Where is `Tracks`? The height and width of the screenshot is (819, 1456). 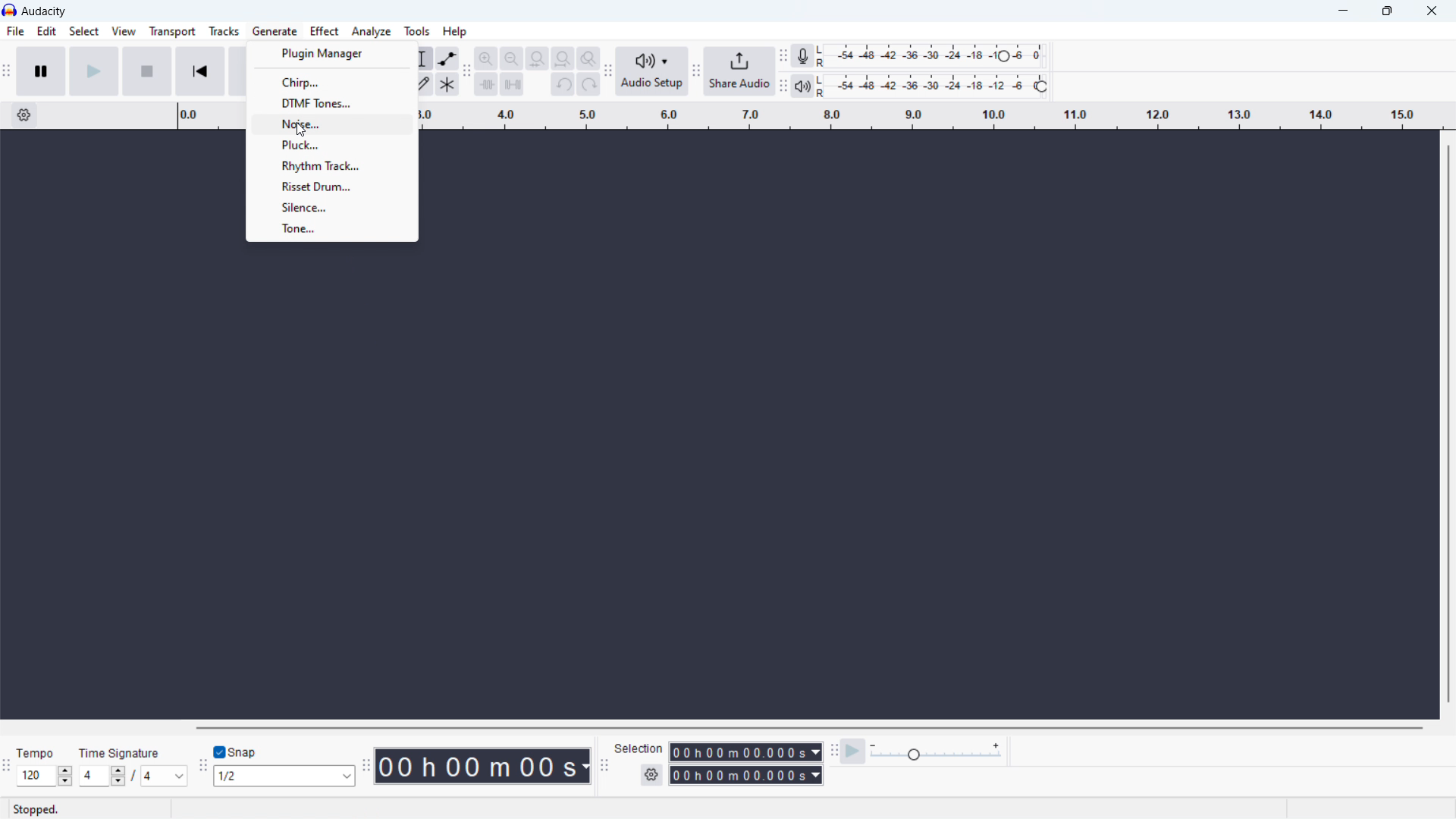 Tracks is located at coordinates (225, 31).